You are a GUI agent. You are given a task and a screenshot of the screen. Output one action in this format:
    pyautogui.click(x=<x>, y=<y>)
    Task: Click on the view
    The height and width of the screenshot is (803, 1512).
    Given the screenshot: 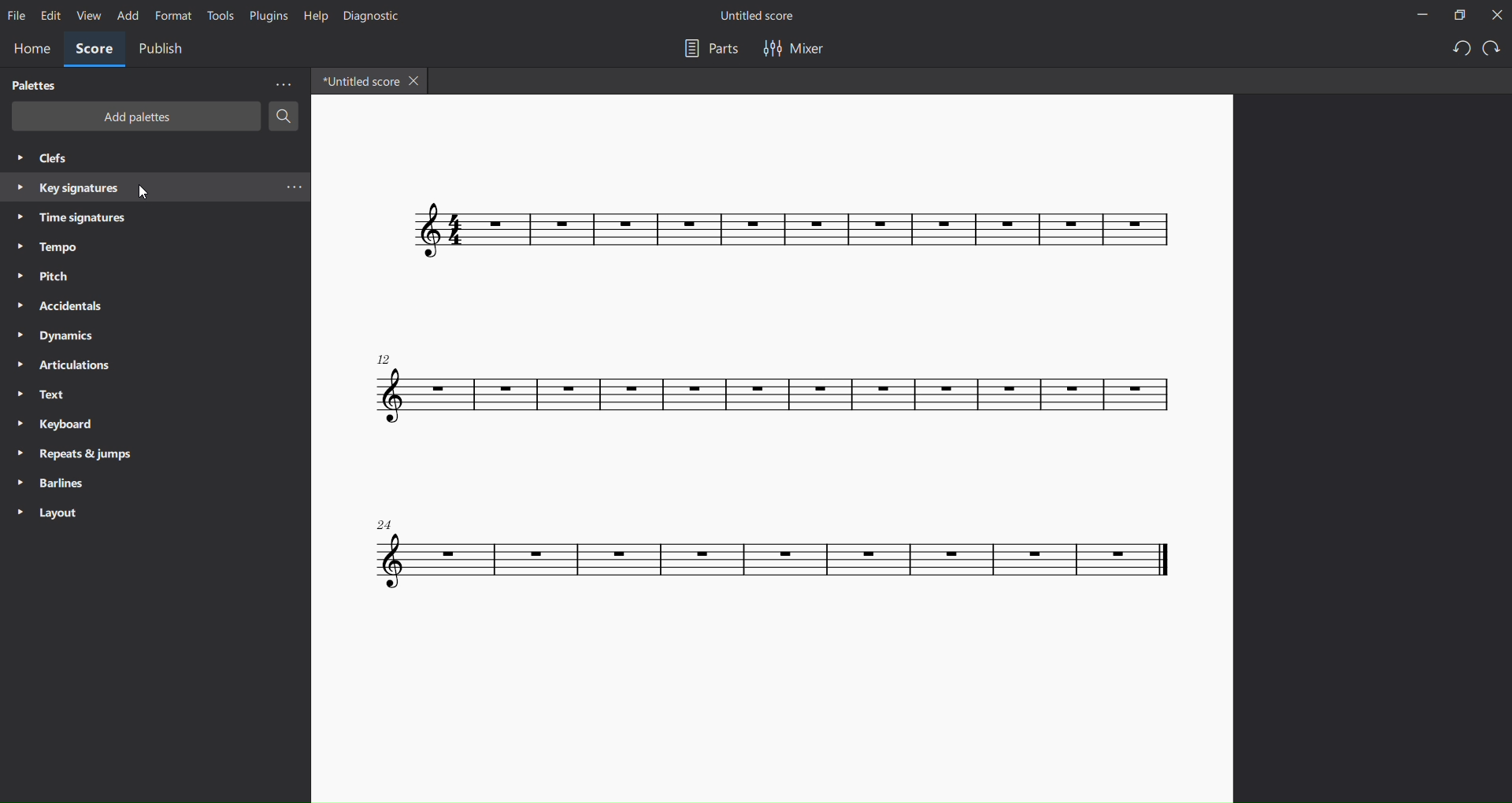 What is the action you would take?
    pyautogui.click(x=88, y=15)
    